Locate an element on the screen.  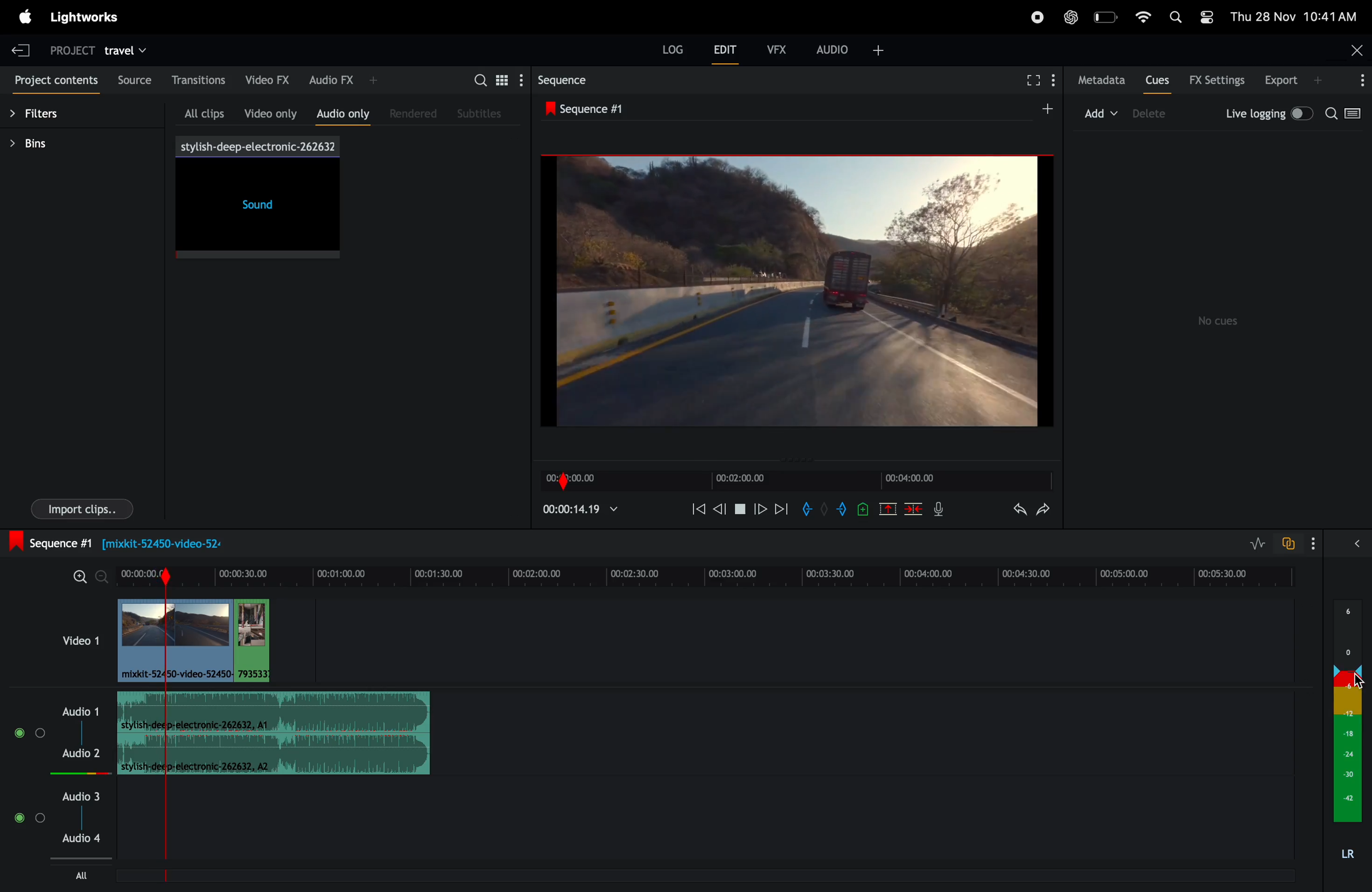
Audio level is located at coordinates (71, 772).